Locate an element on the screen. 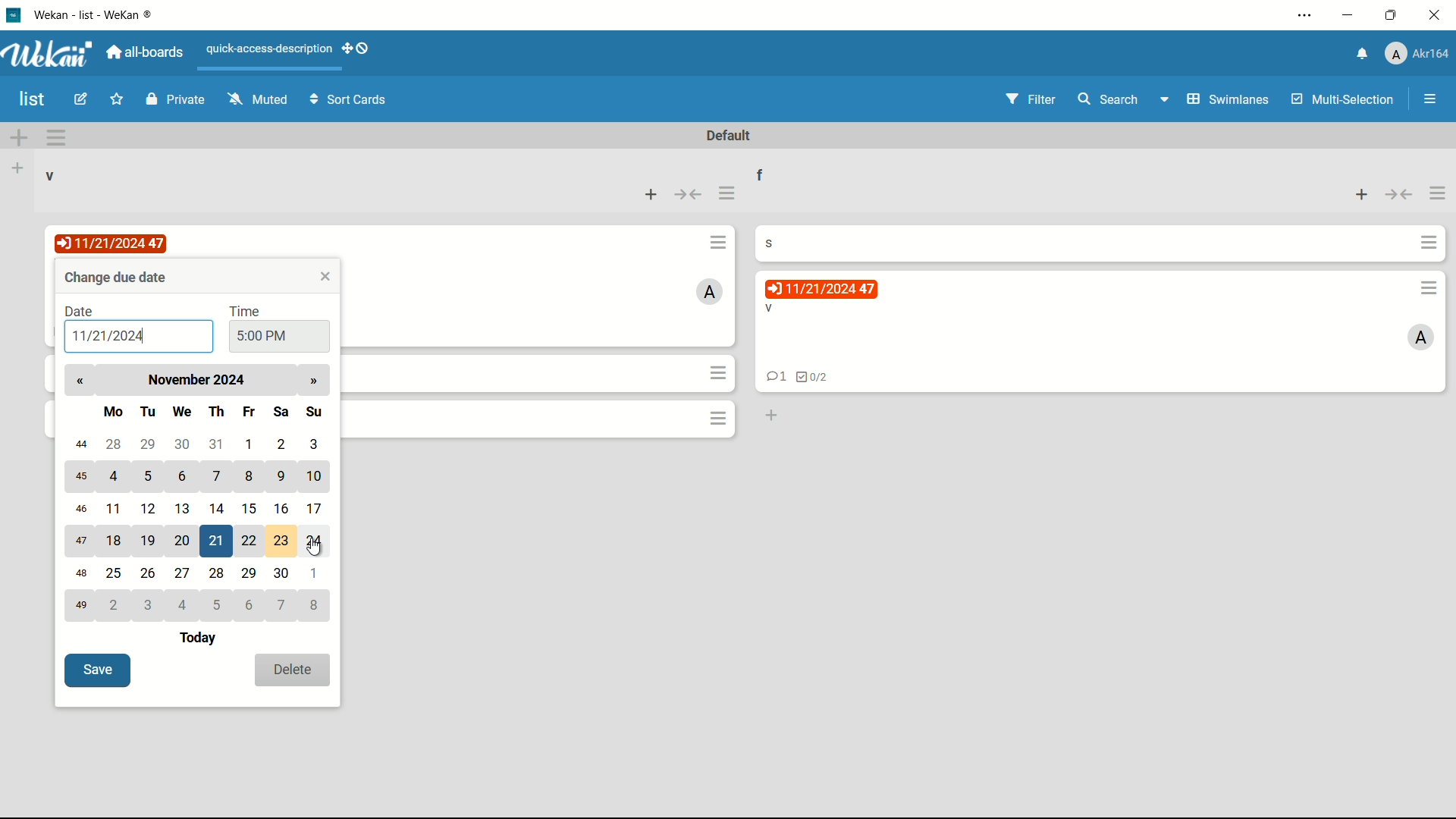 The width and height of the screenshot is (1456, 819). 24 is located at coordinates (317, 541).